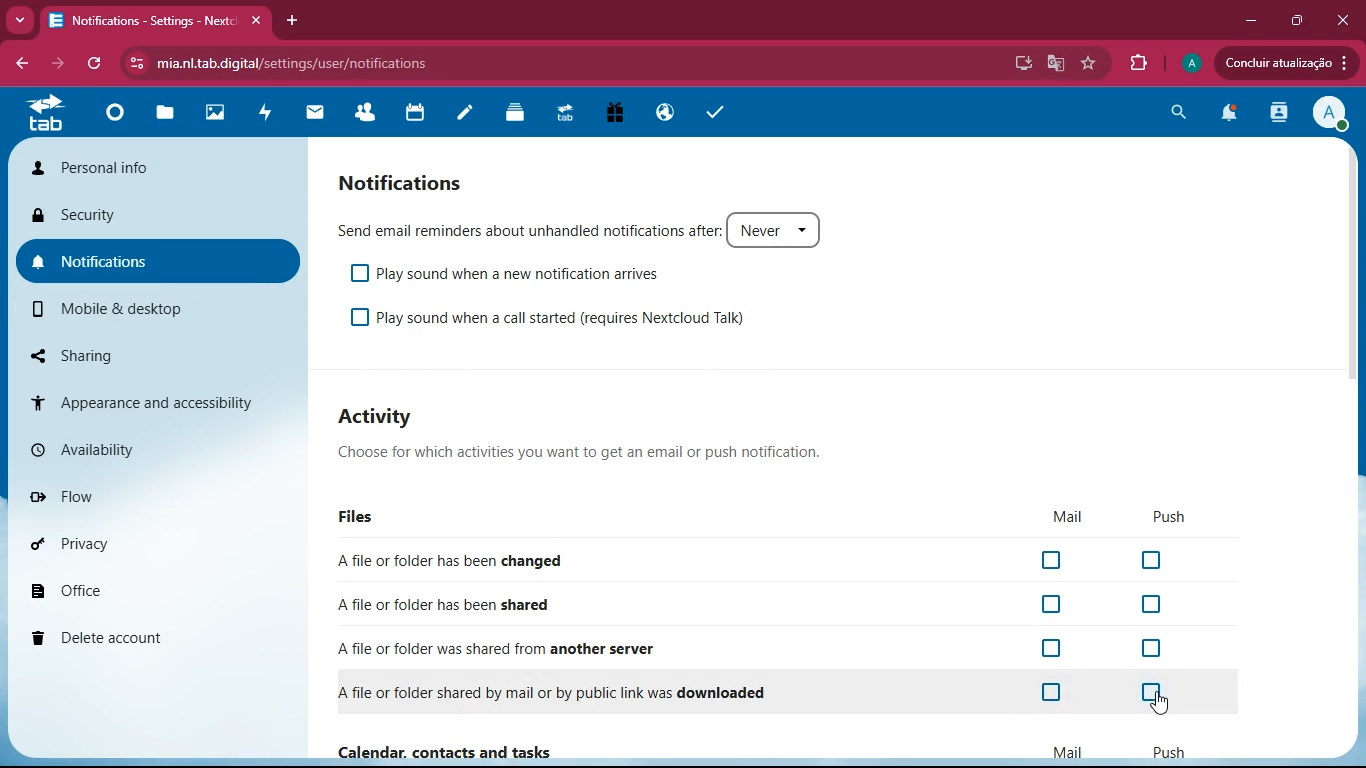 The height and width of the screenshot is (768, 1366). What do you see at coordinates (139, 64) in the screenshot?
I see `View site information` at bounding box center [139, 64].